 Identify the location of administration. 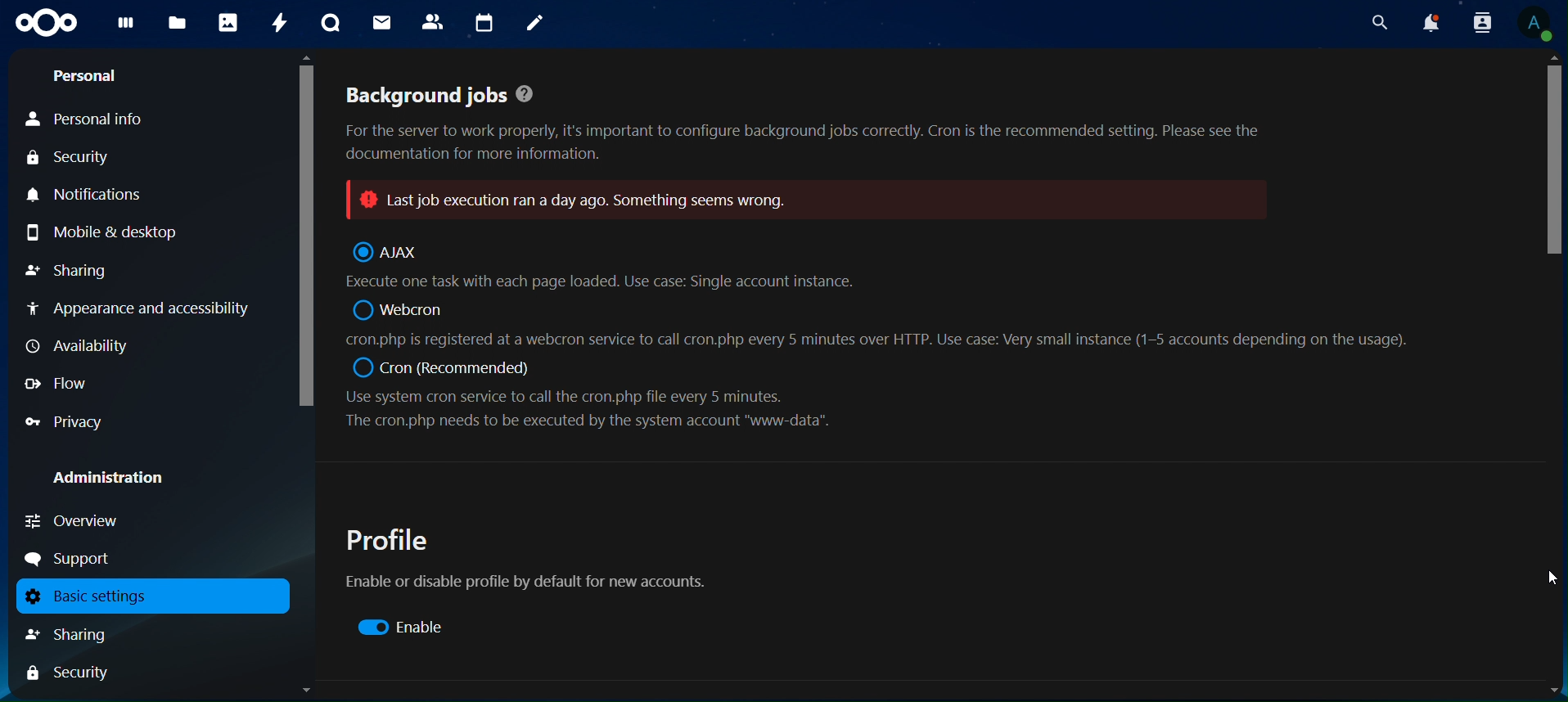
(120, 479).